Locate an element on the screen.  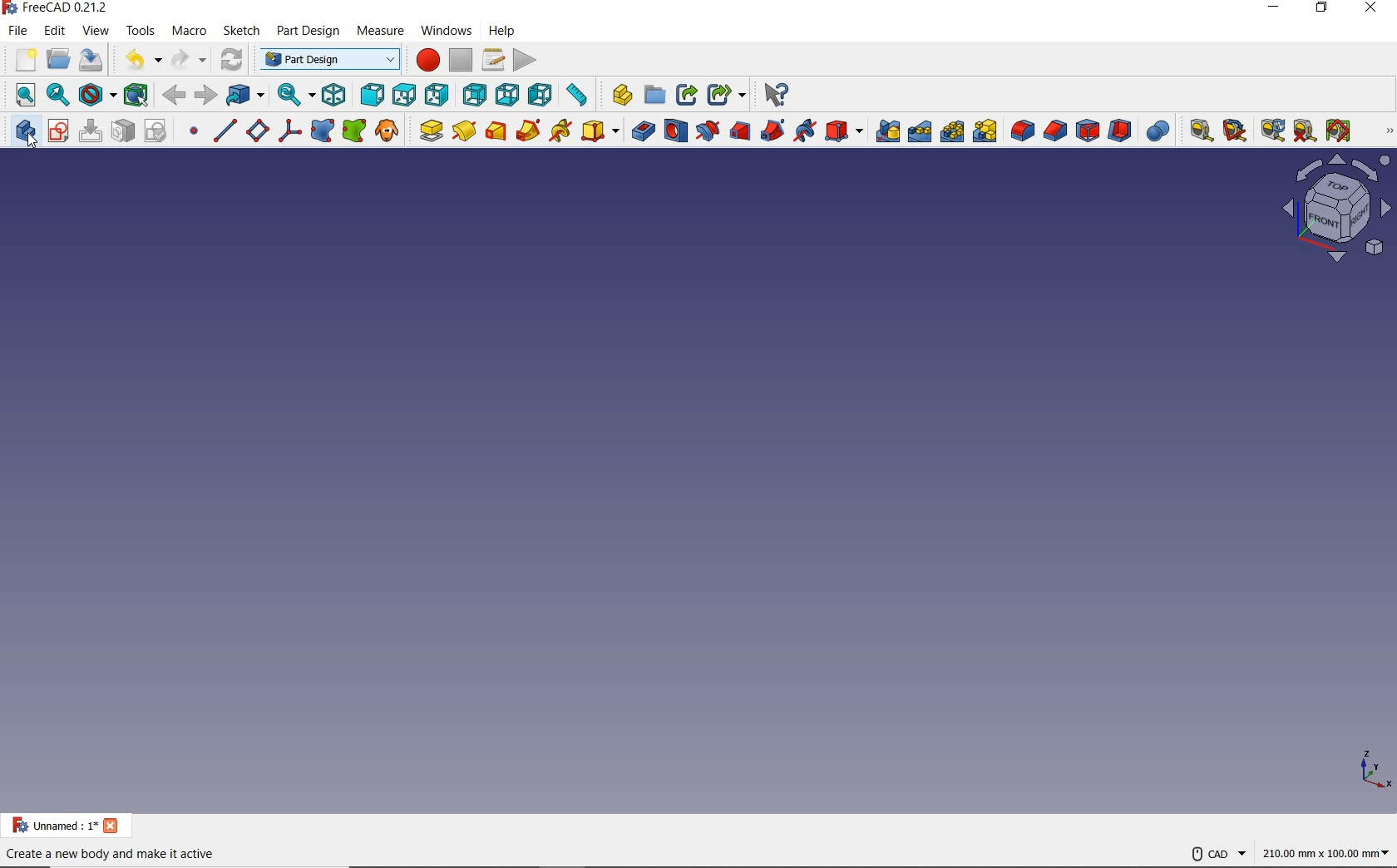
rear is located at coordinates (474, 95).